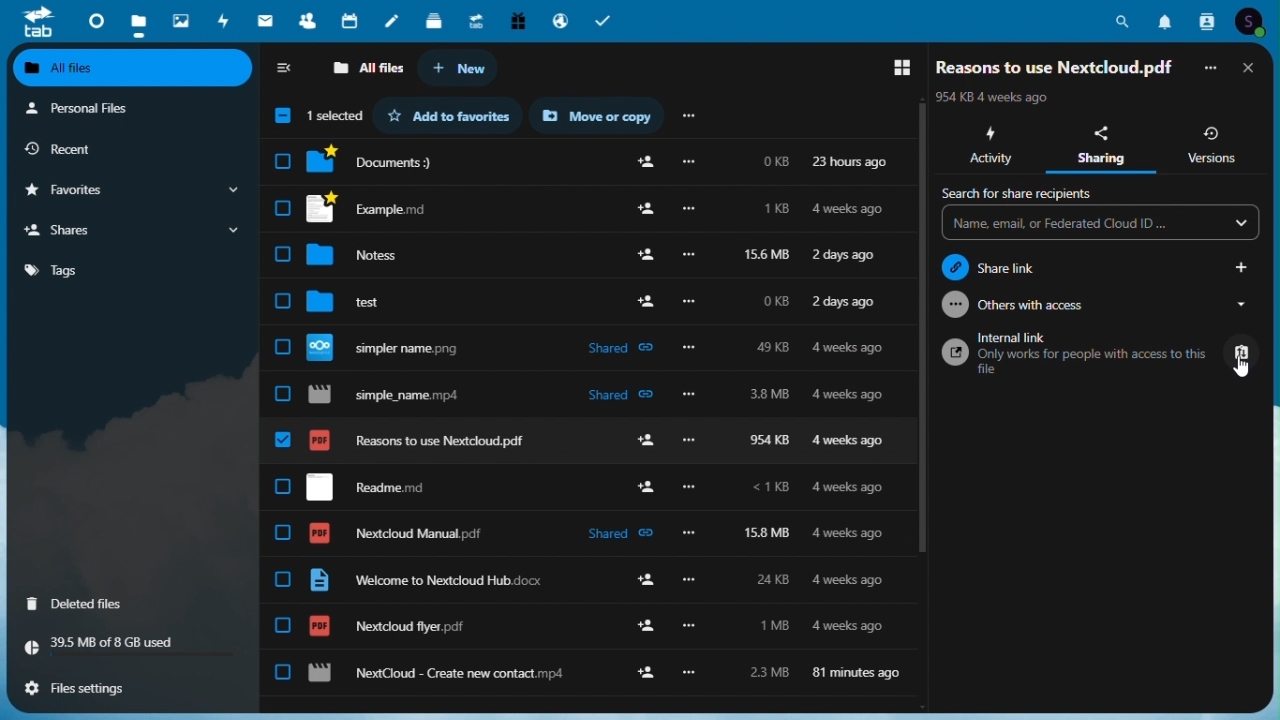  I want to click on Upgrade, so click(477, 21).